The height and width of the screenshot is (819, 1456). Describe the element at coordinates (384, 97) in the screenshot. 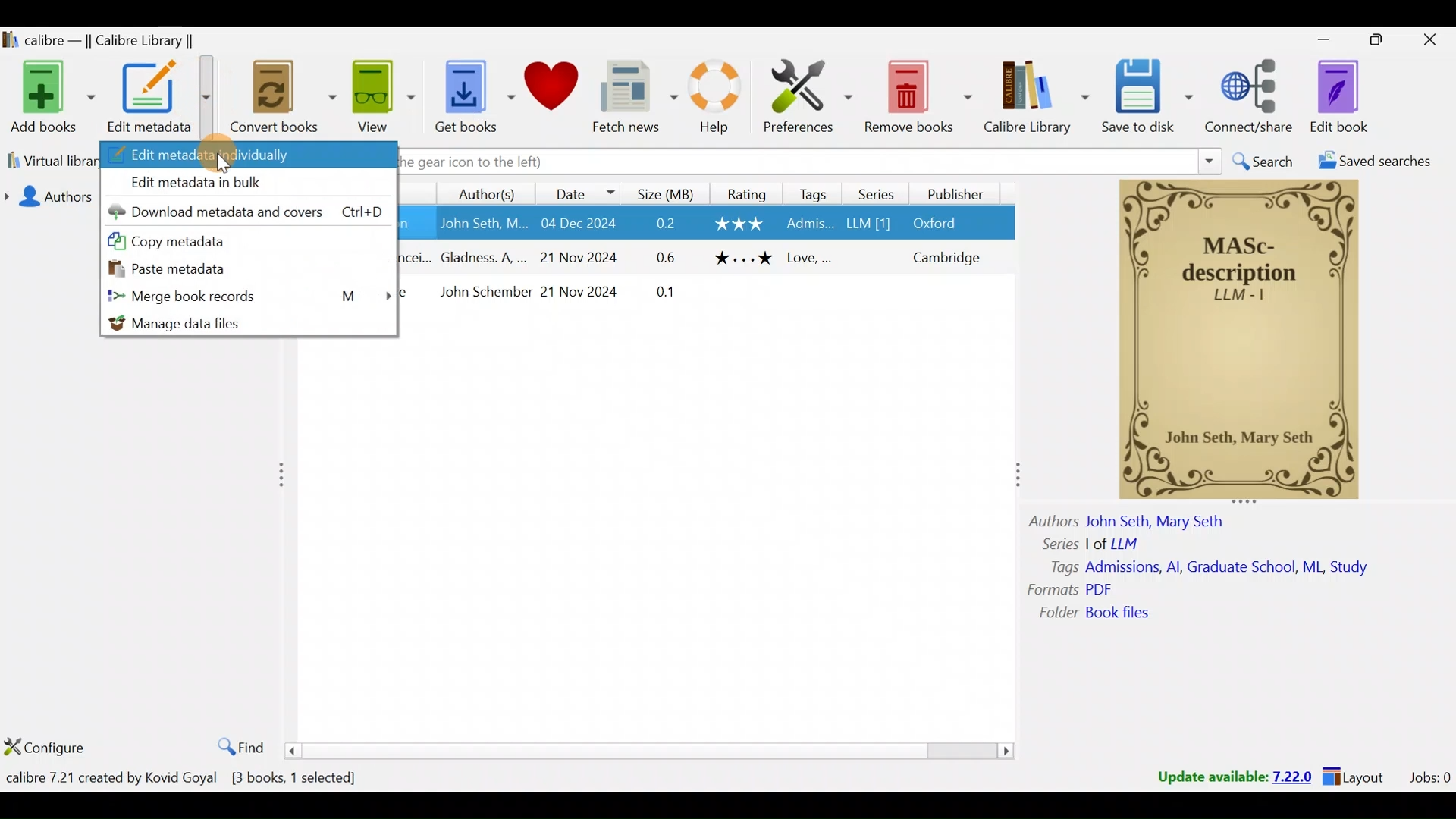

I see `View` at that location.